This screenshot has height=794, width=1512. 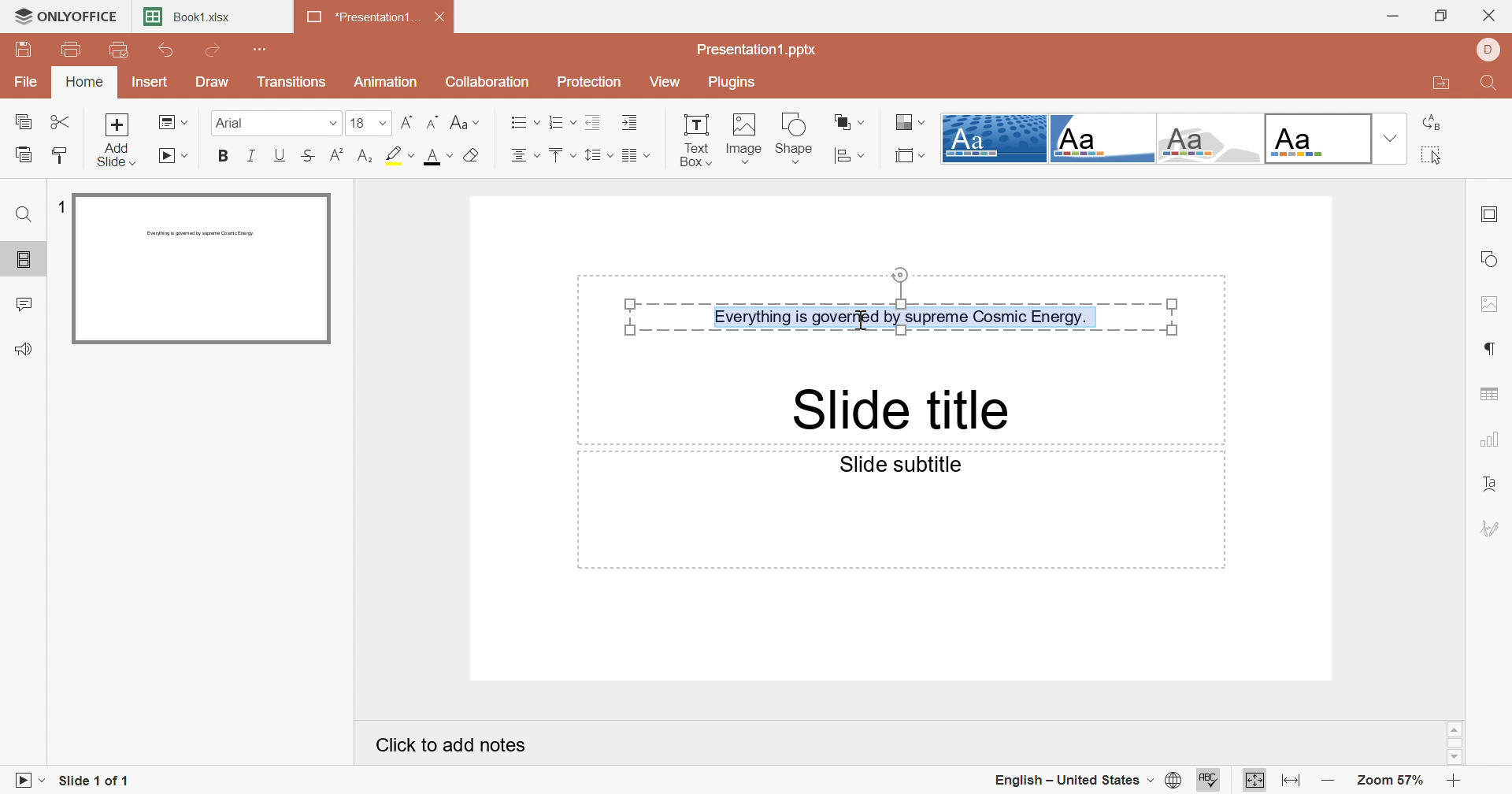 What do you see at coordinates (1388, 780) in the screenshot?
I see `Zoom 57%` at bounding box center [1388, 780].